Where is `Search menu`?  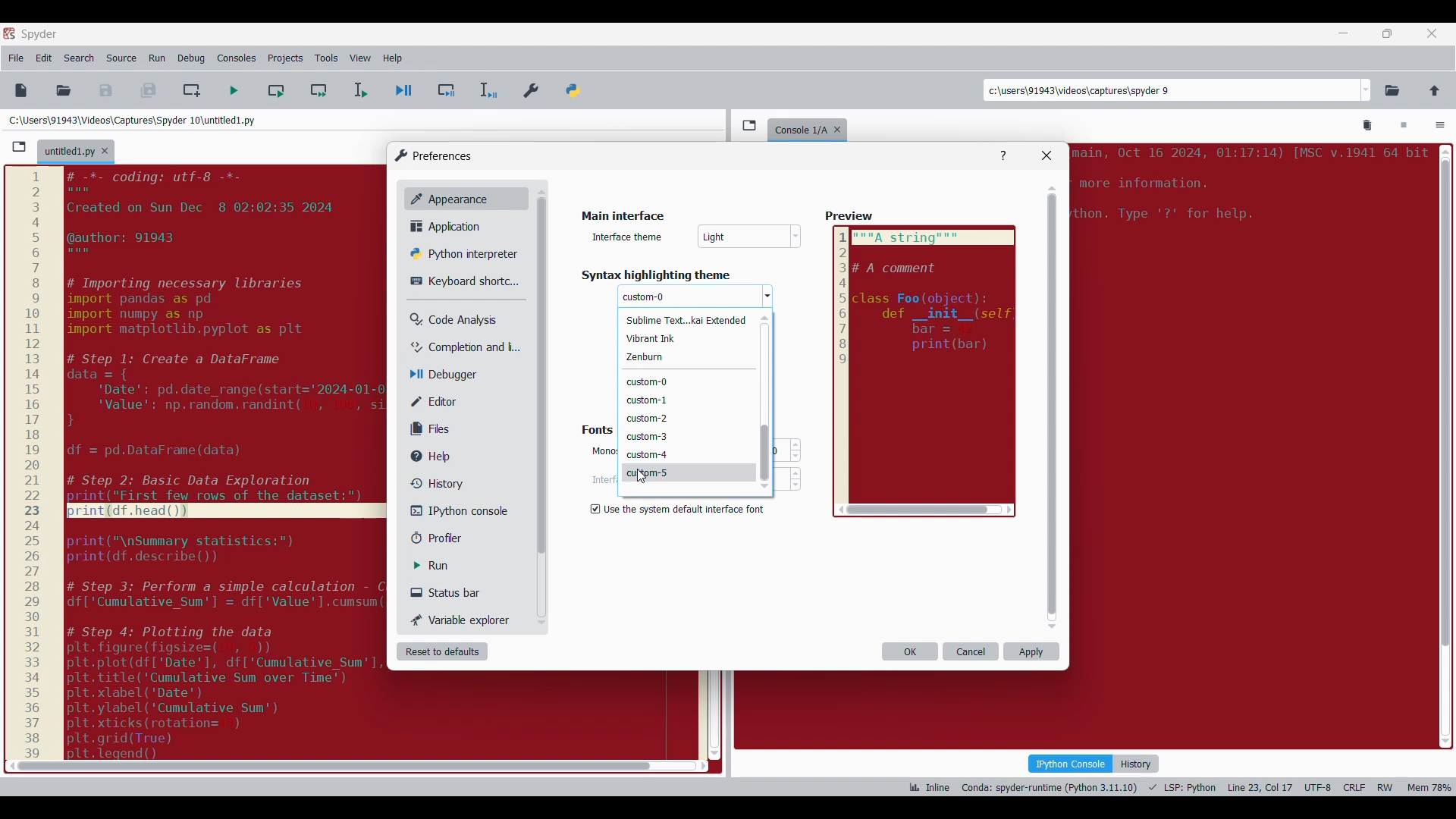
Search menu is located at coordinates (80, 58).